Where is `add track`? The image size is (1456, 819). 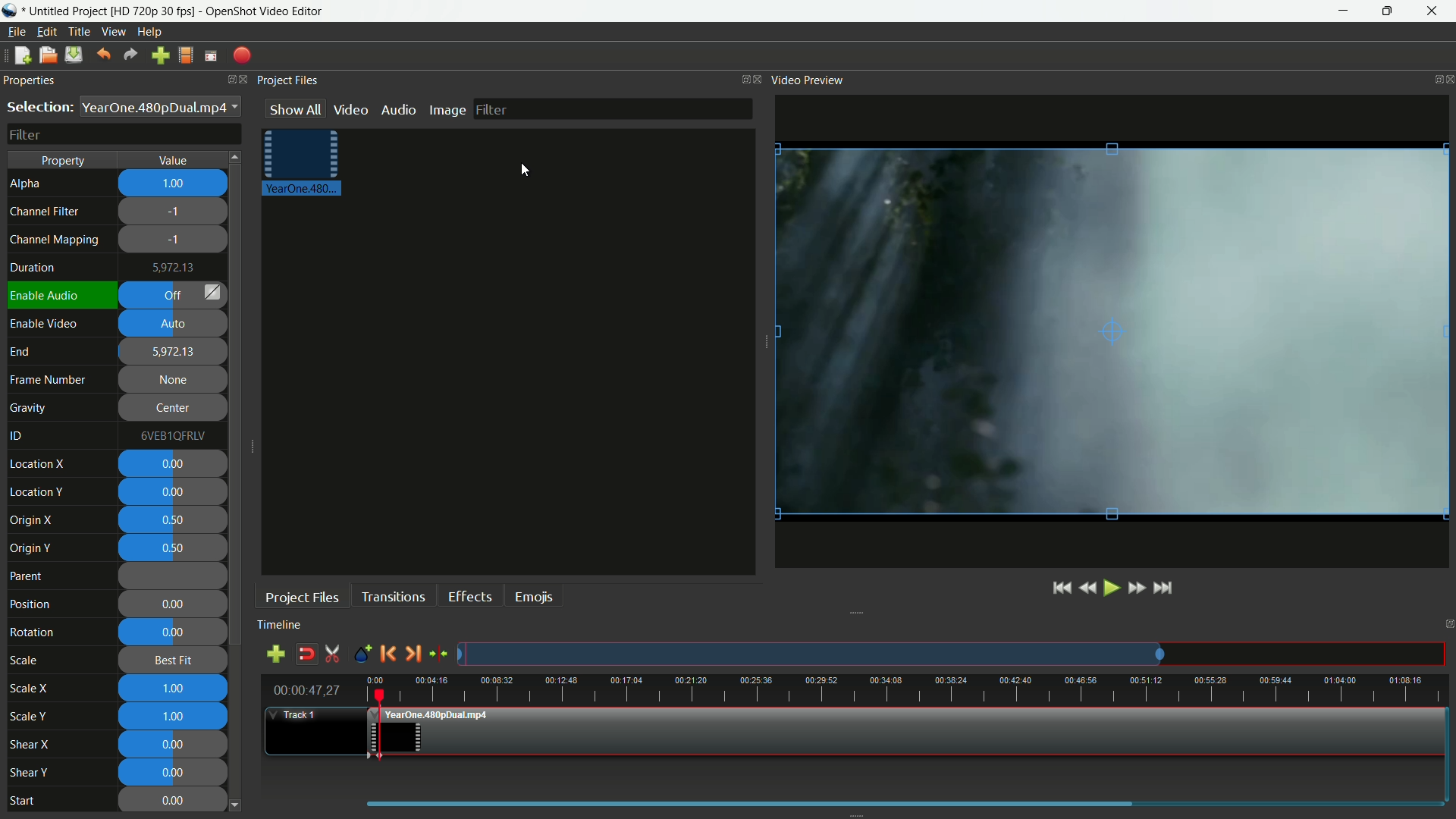
add track is located at coordinates (275, 654).